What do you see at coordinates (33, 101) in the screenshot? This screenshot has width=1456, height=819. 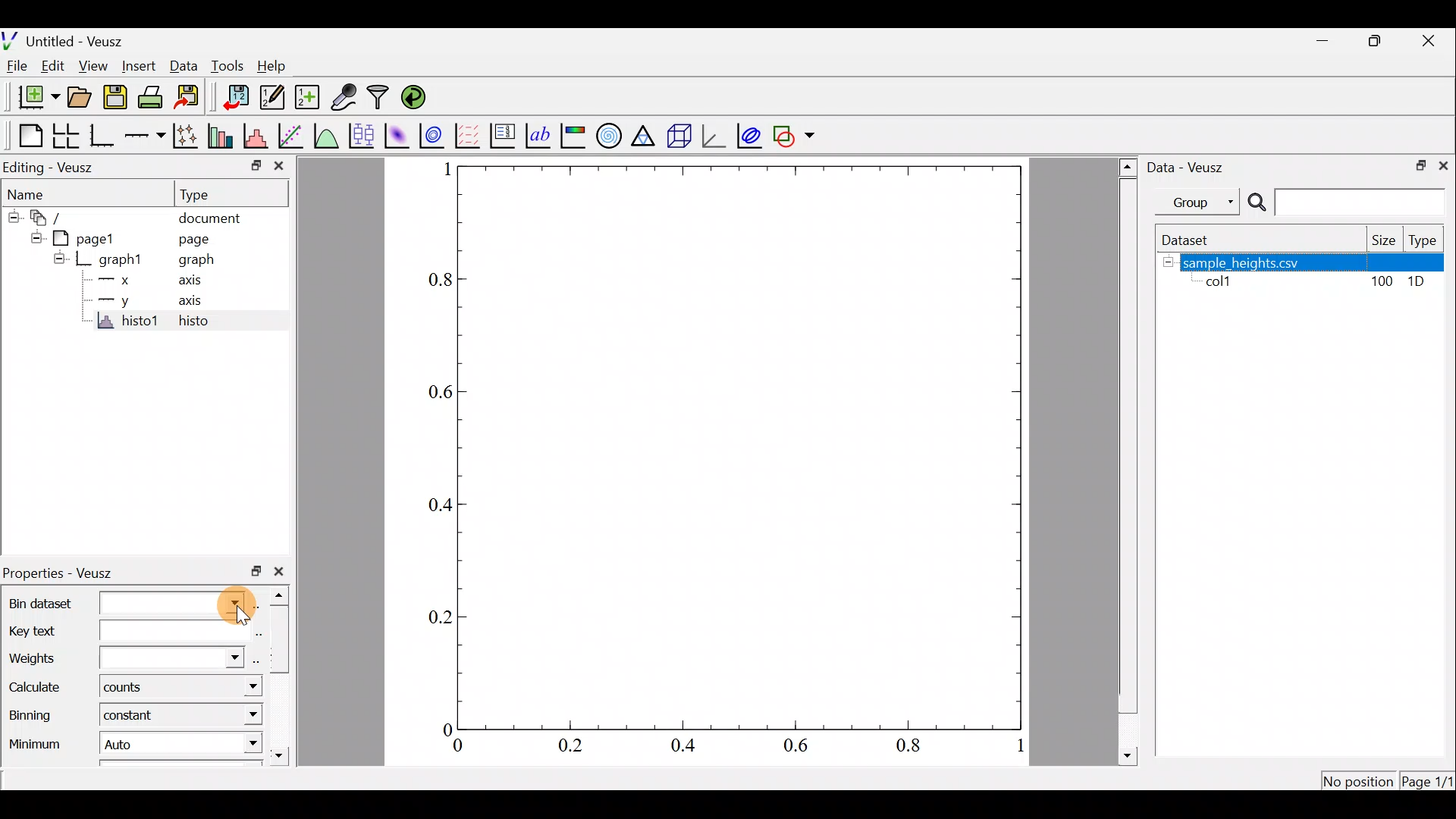 I see `new document` at bounding box center [33, 101].